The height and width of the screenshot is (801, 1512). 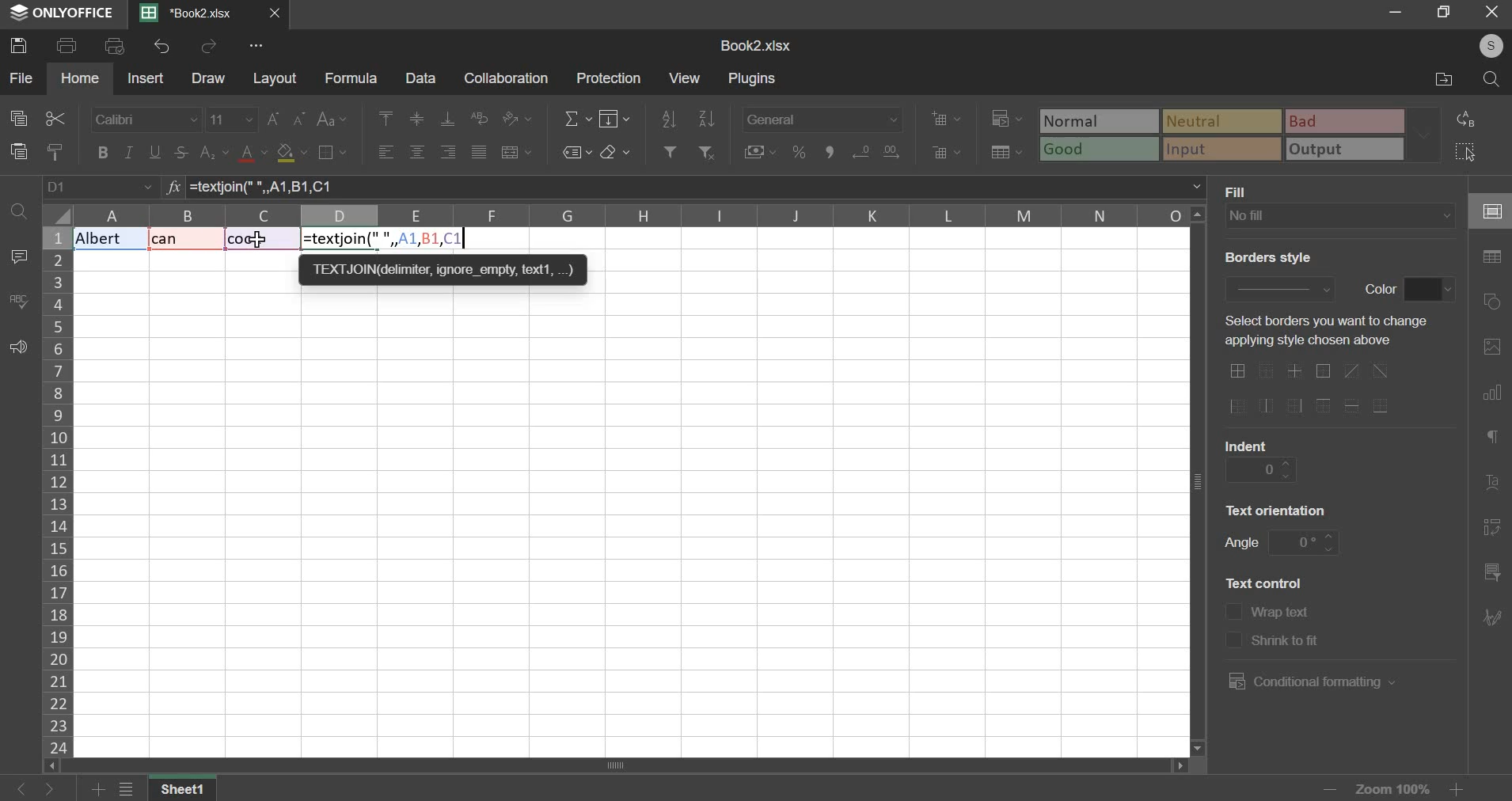 What do you see at coordinates (1340, 216) in the screenshot?
I see `fill type` at bounding box center [1340, 216].